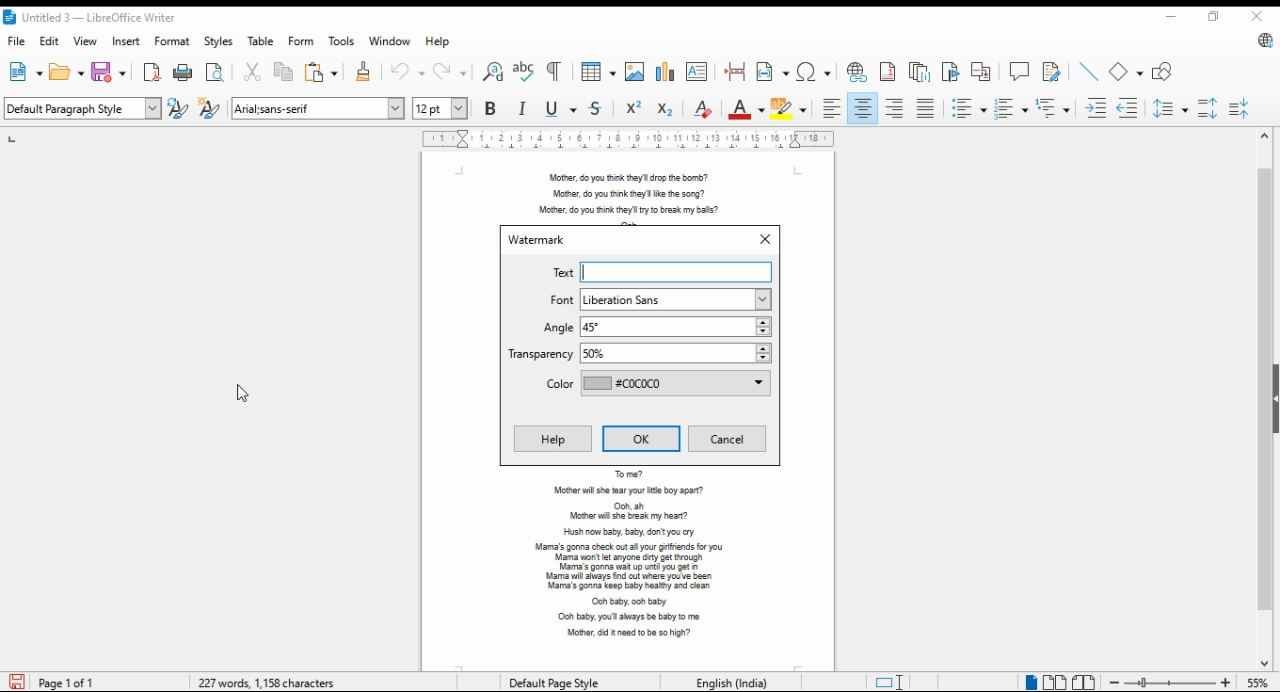  I want to click on copy, so click(285, 72).